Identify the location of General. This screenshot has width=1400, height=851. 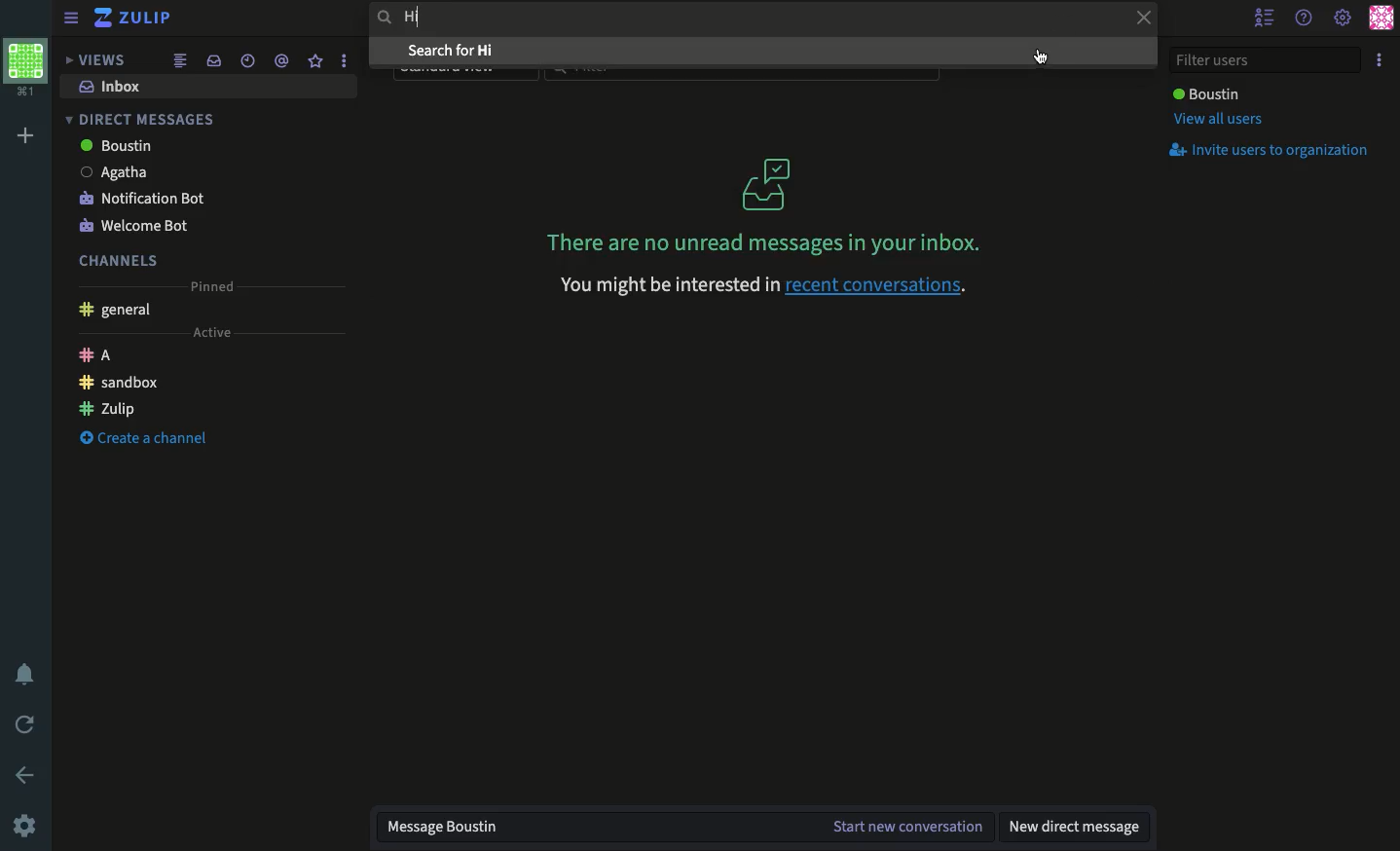
(117, 311).